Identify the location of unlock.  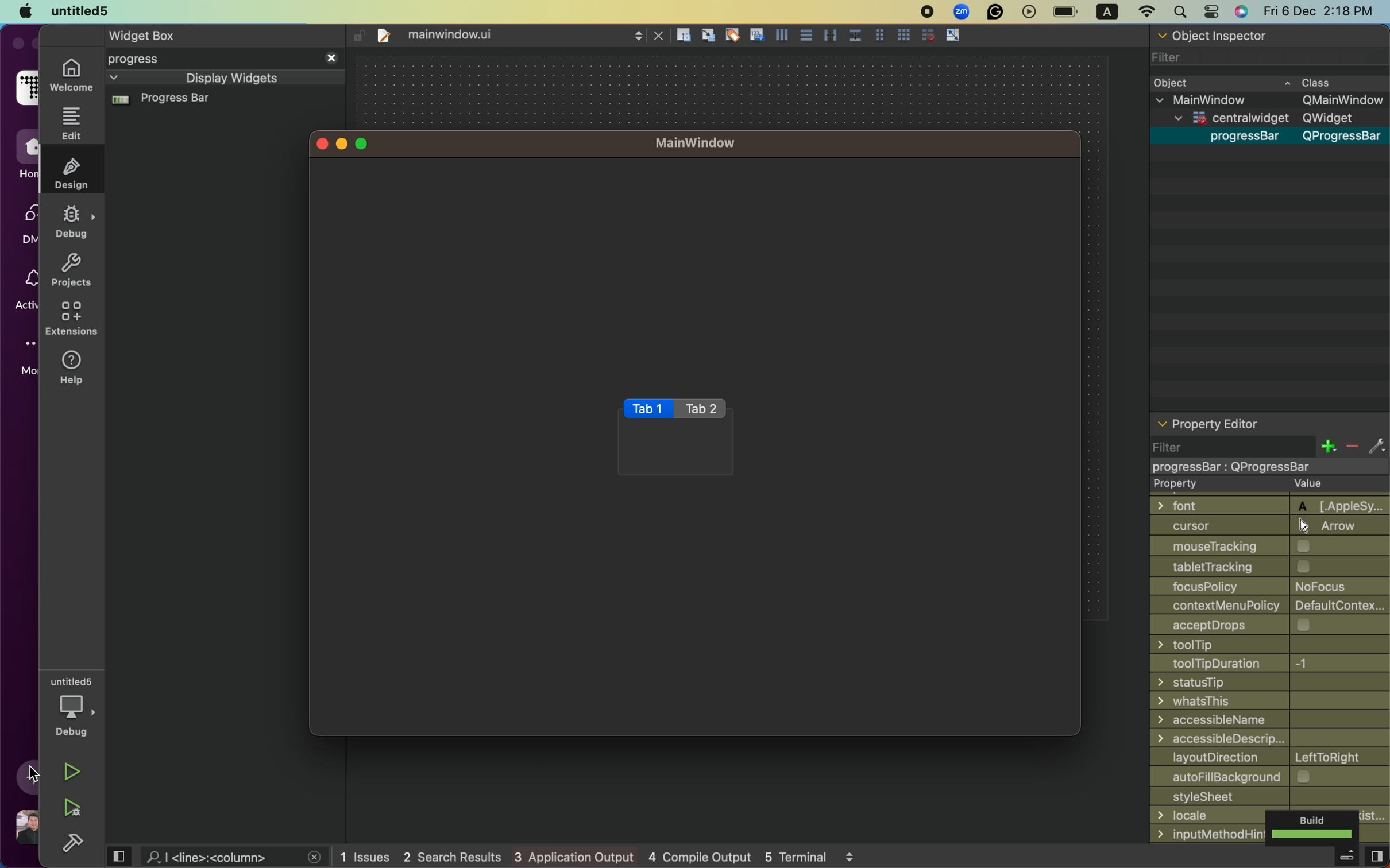
(359, 36).